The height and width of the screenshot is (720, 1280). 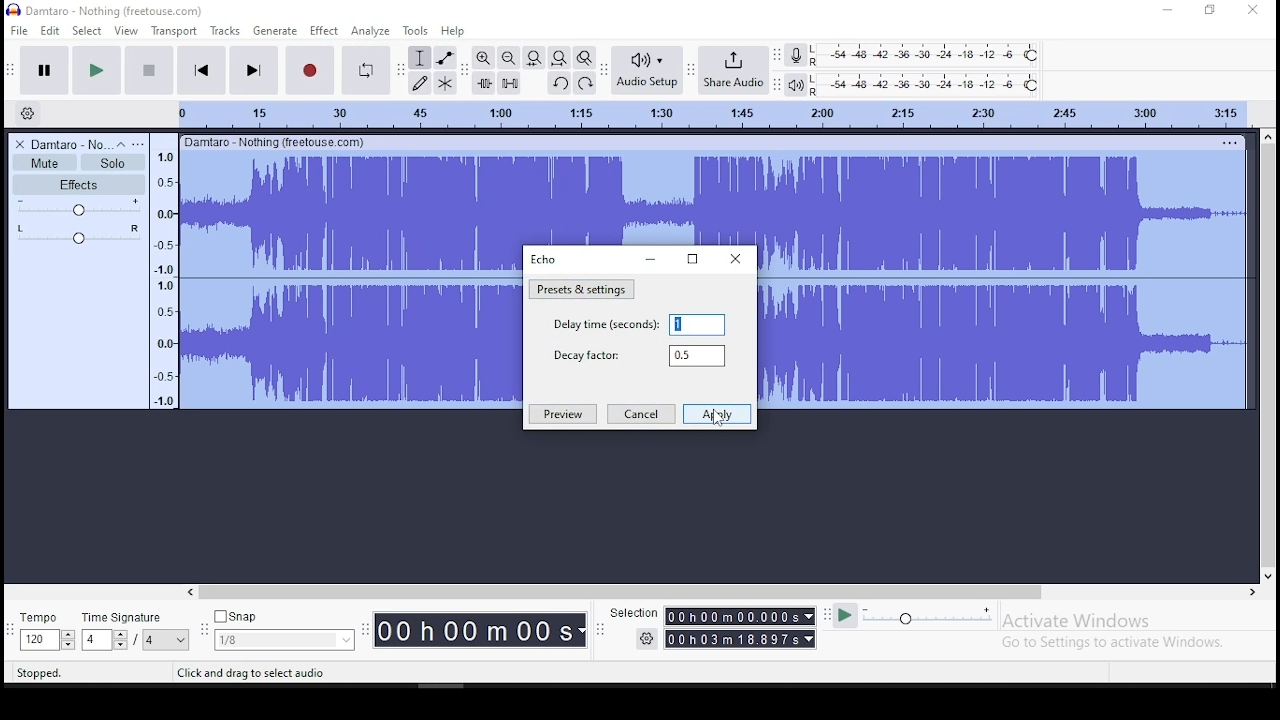 I want to click on presets and settings, so click(x=584, y=288).